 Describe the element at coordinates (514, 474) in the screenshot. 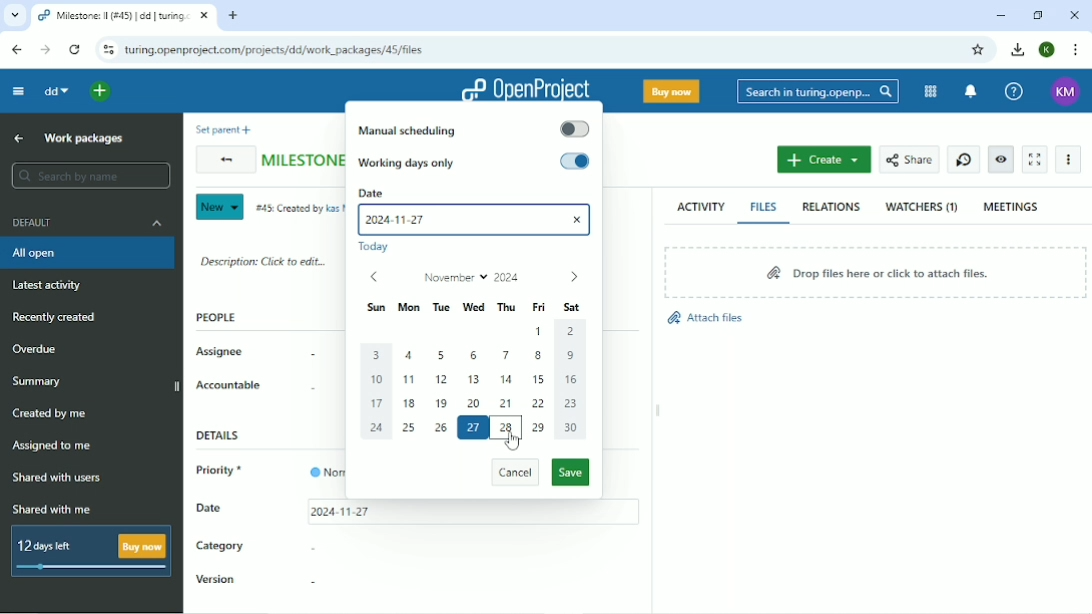

I see `Cancel` at that location.